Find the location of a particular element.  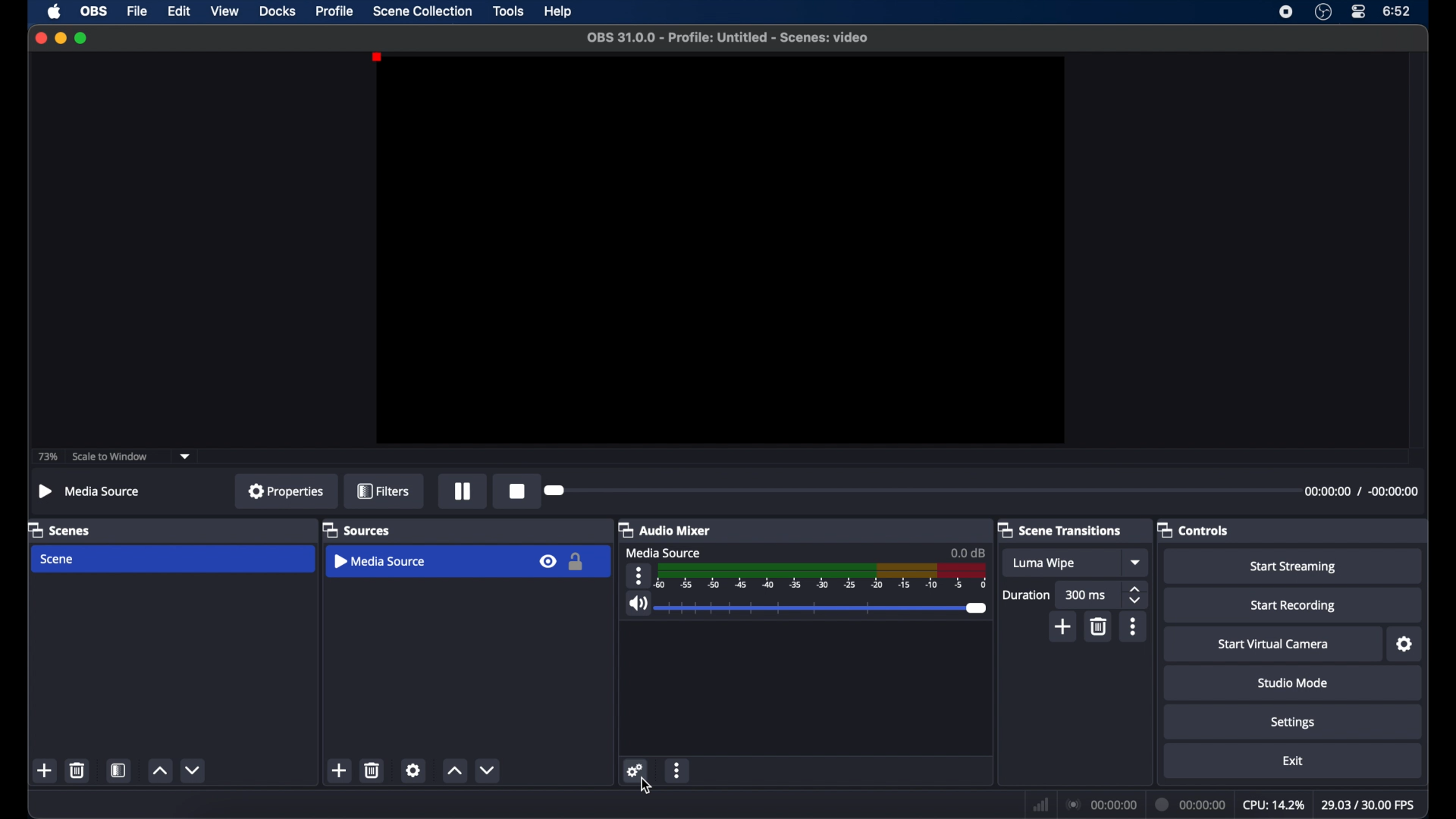

increment is located at coordinates (158, 770).